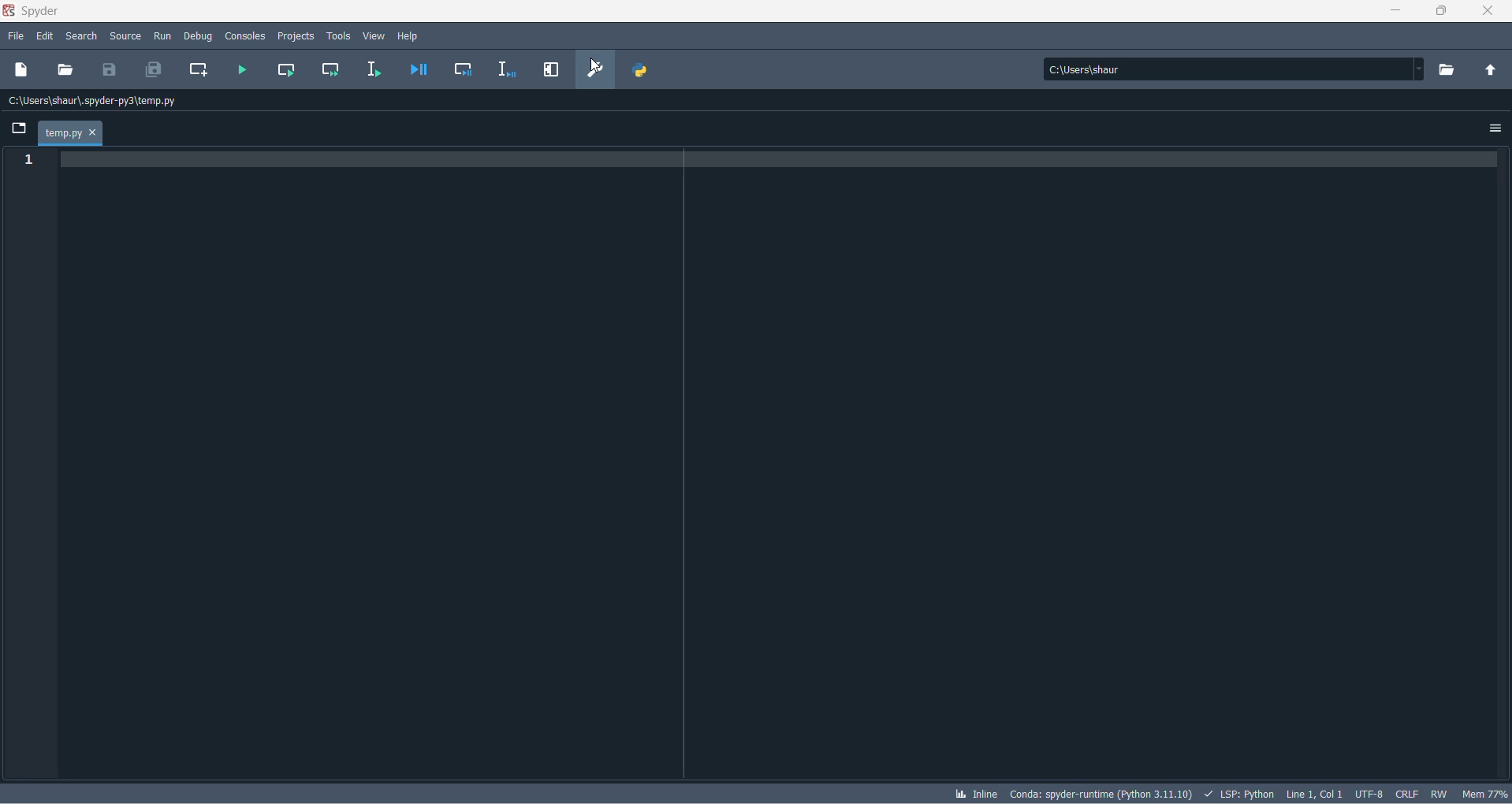 The height and width of the screenshot is (804, 1512). I want to click on line and column number, so click(1315, 791).